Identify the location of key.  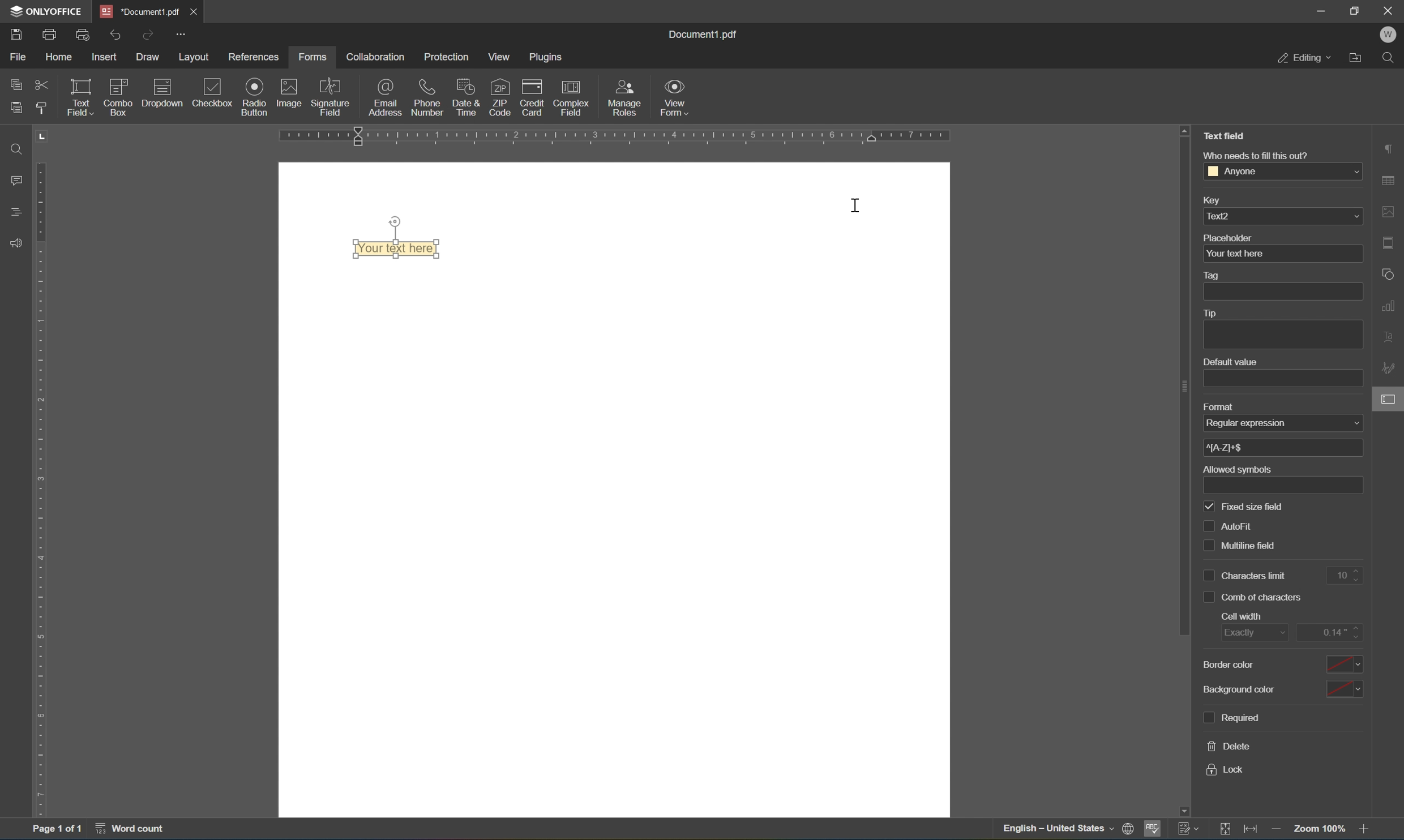
(1212, 199).